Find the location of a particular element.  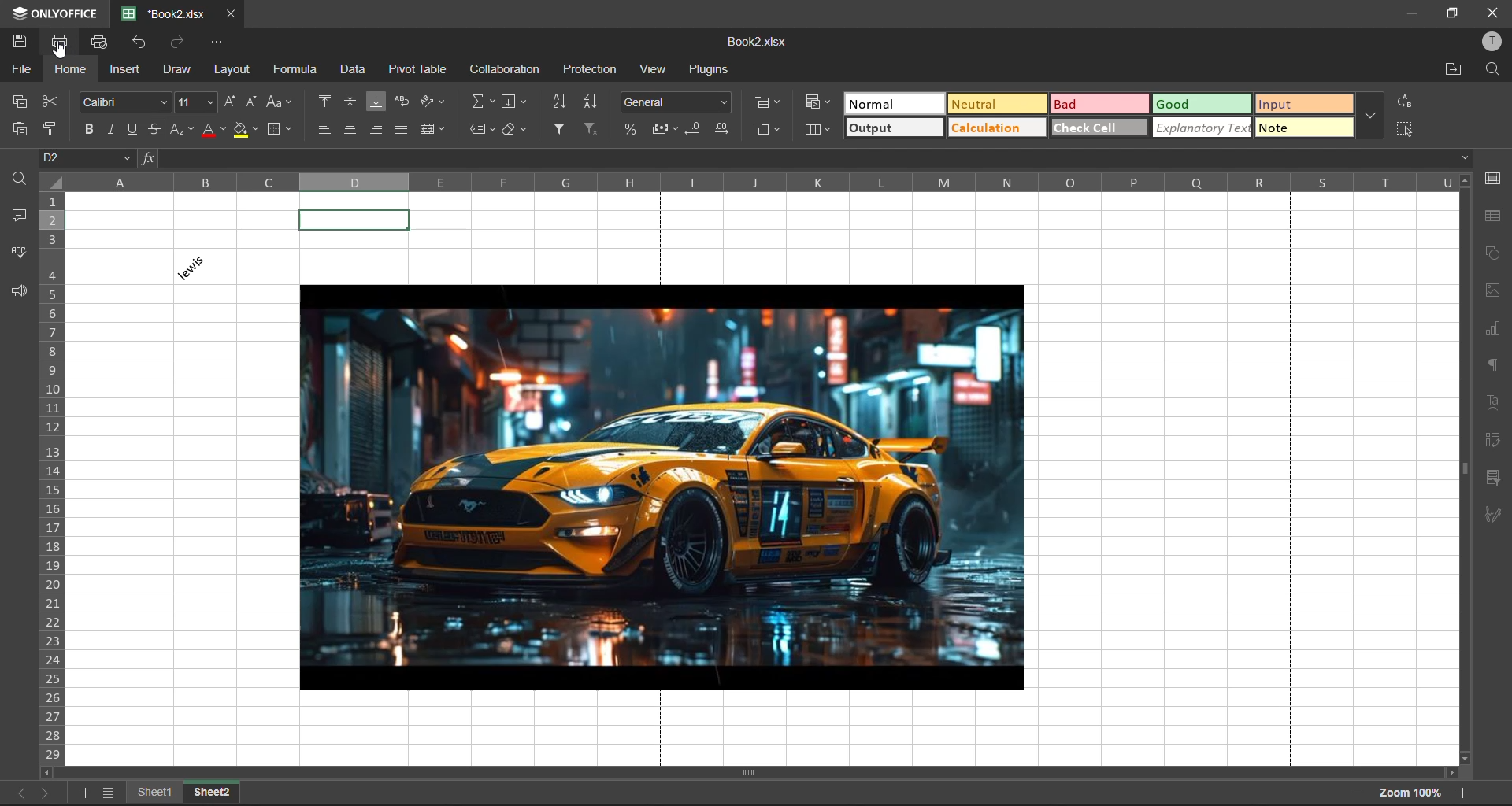

neutral is located at coordinates (997, 105).